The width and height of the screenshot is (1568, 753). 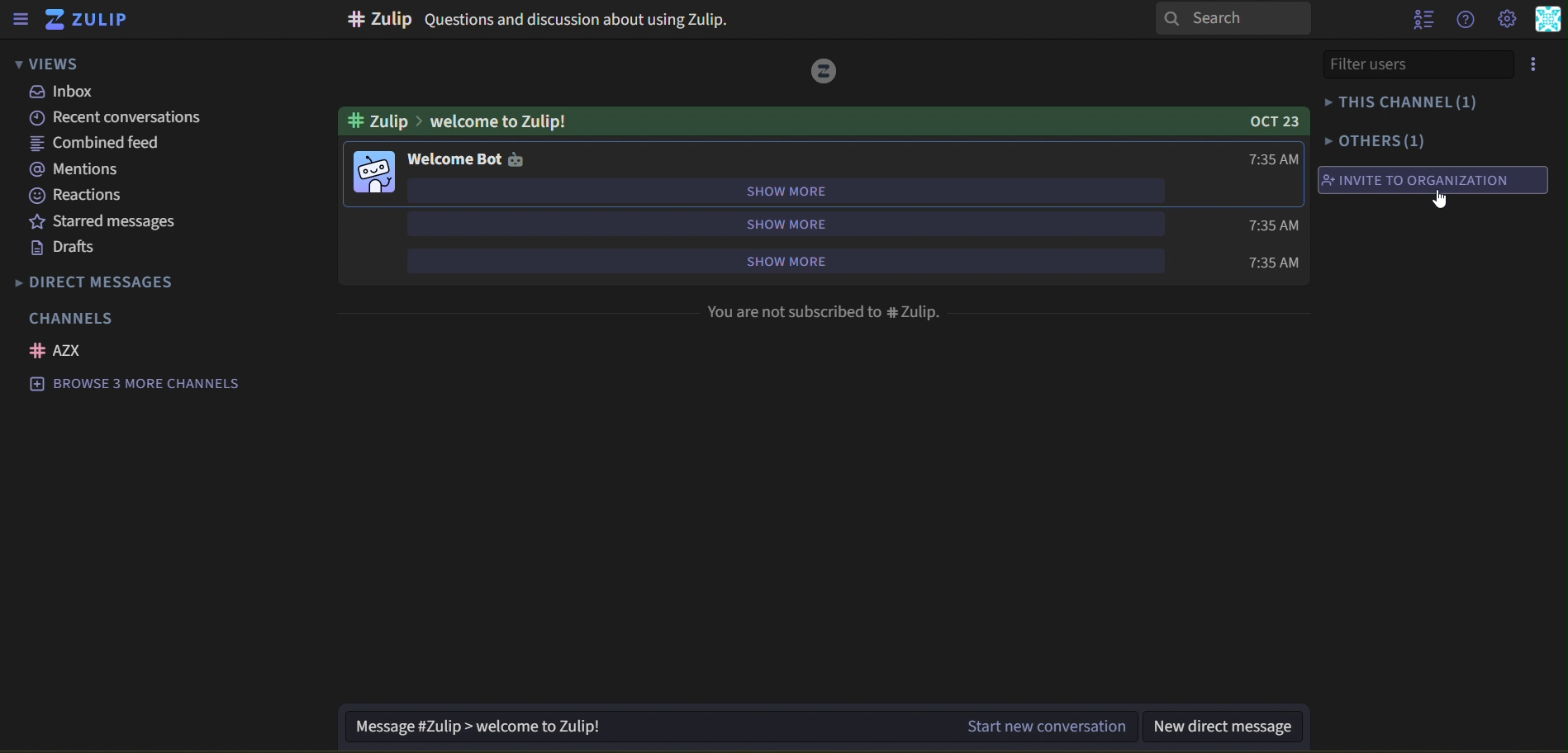 What do you see at coordinates (62, 92) in the screenshot?
I see `inbox` at bounding box center [62, 92].